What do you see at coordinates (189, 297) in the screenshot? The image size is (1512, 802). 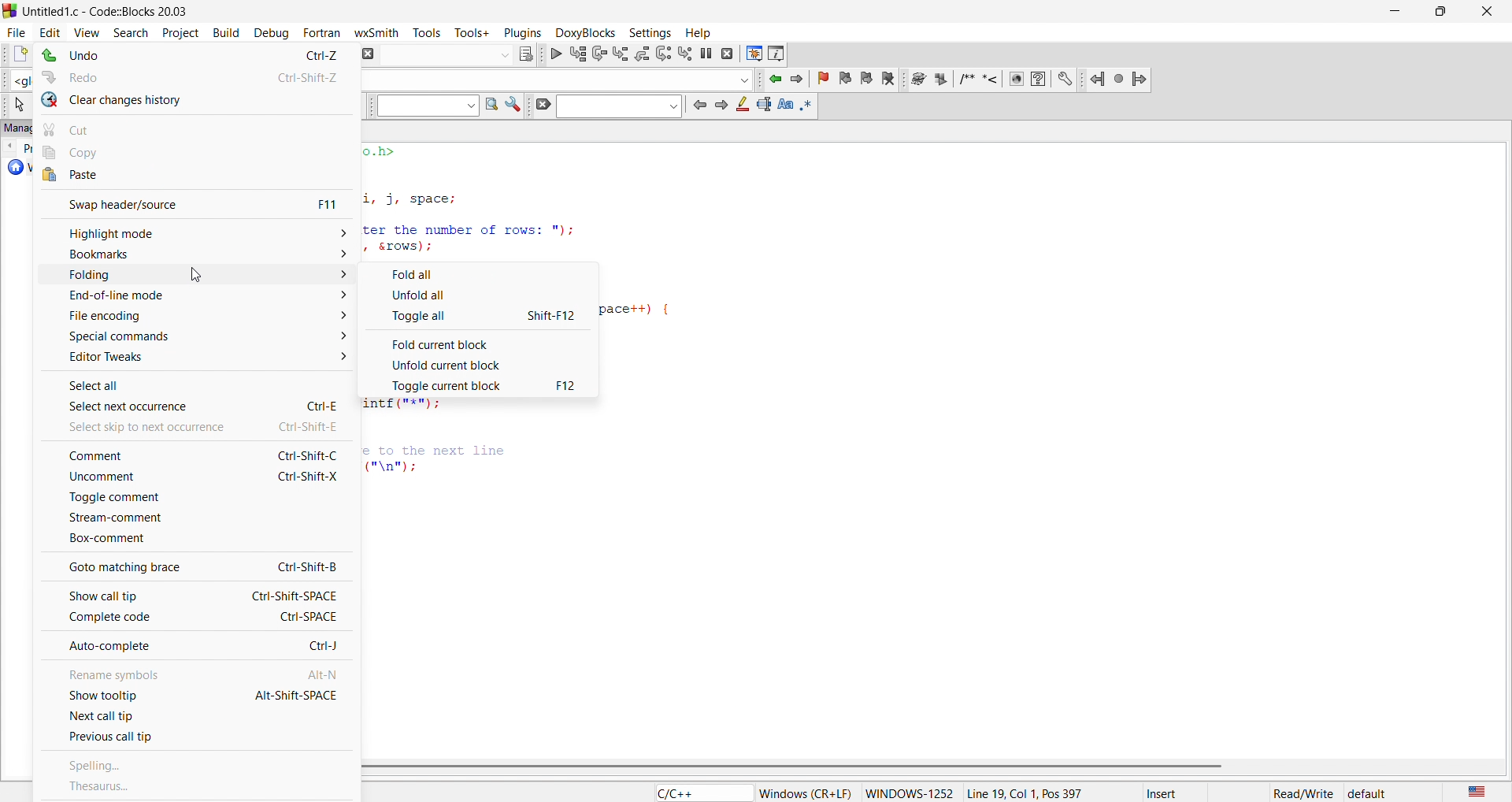 I see `end of line mode` at bounding box center [189, 297].